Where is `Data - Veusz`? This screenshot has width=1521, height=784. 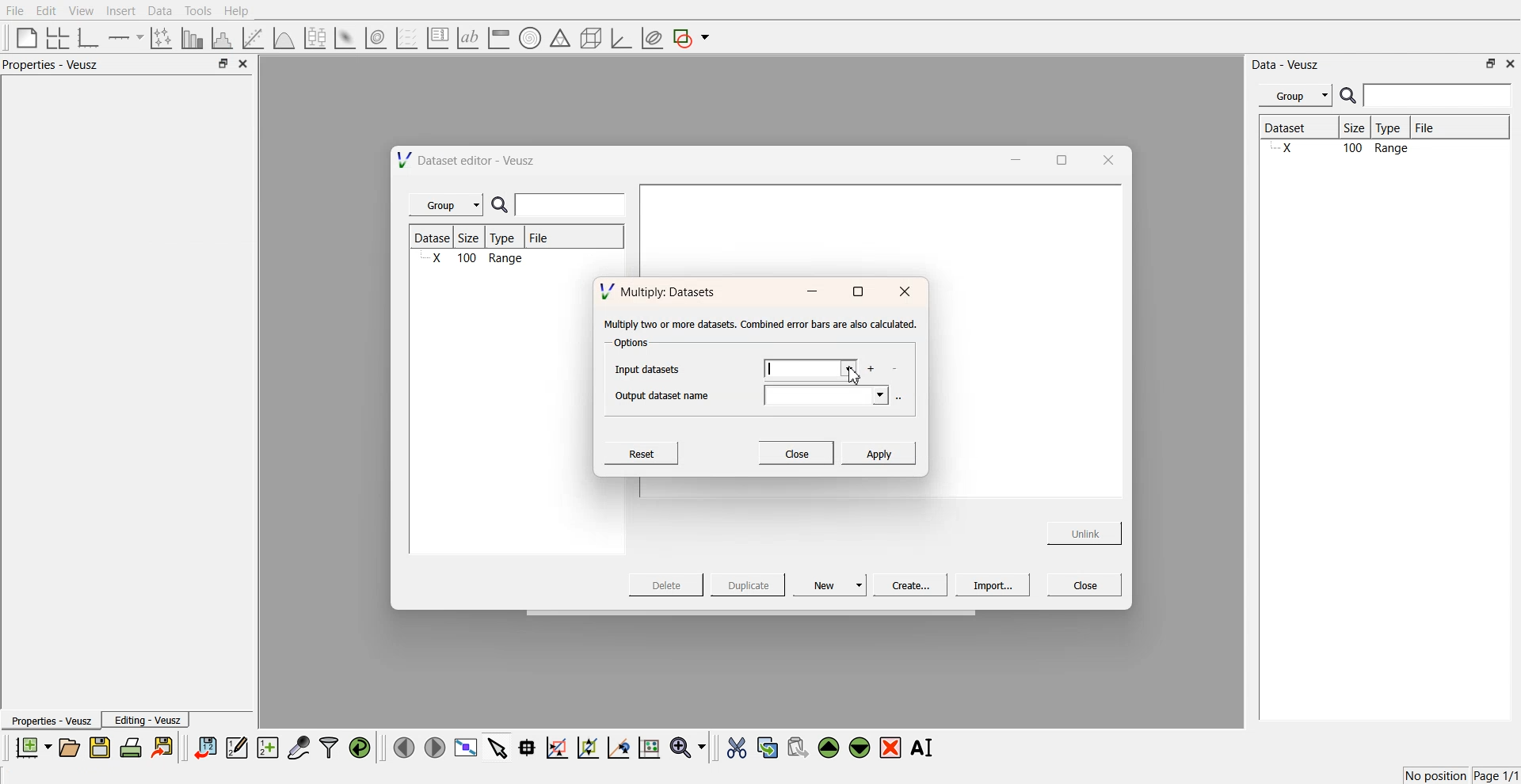
Data - Veusz is located at coordinates (1287, 65).